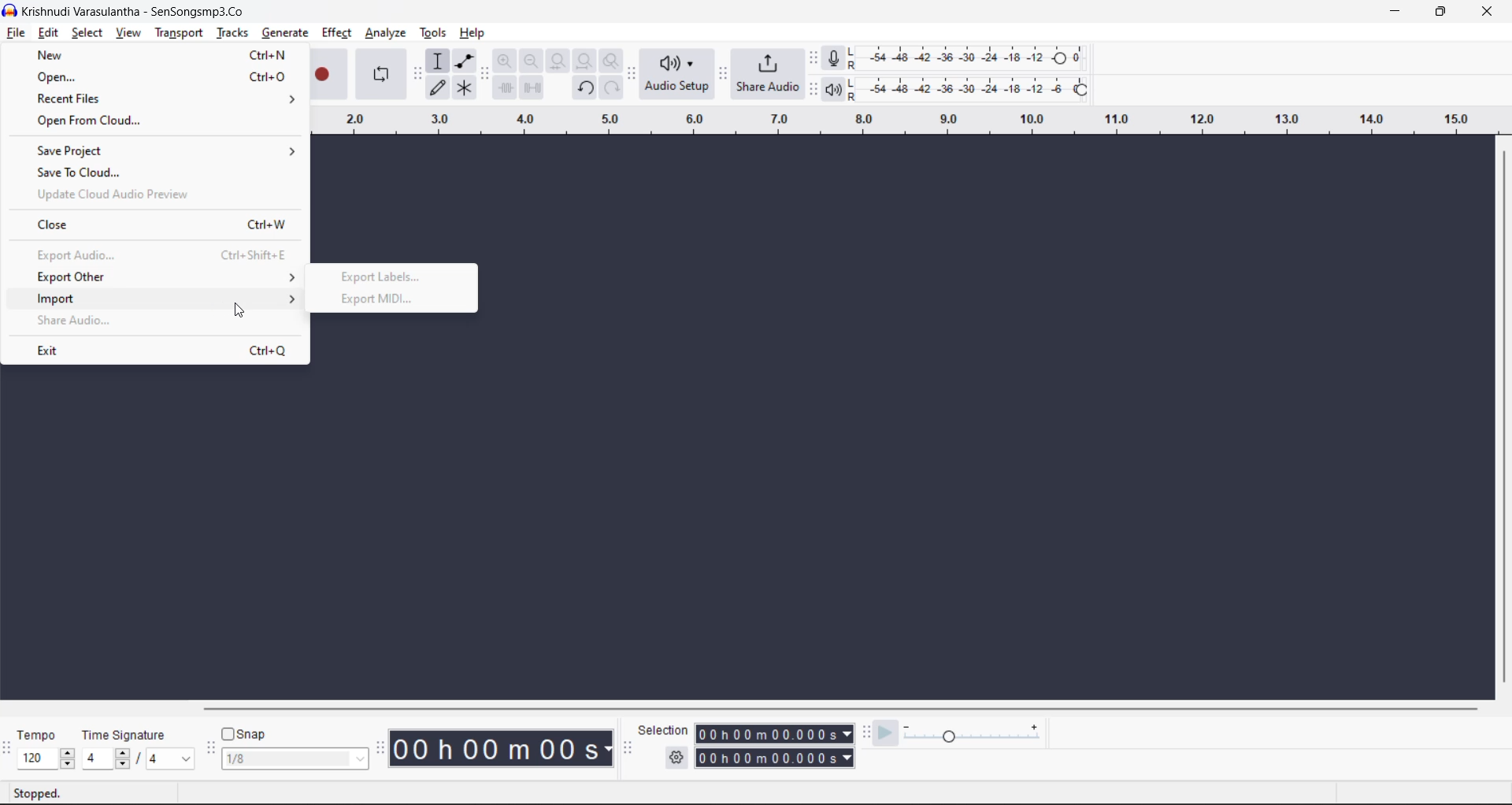 This screenshot has width=1512, height=805. Describe the element at coordinates (900, 122) in the screenshot. I see `Scale` at that location.